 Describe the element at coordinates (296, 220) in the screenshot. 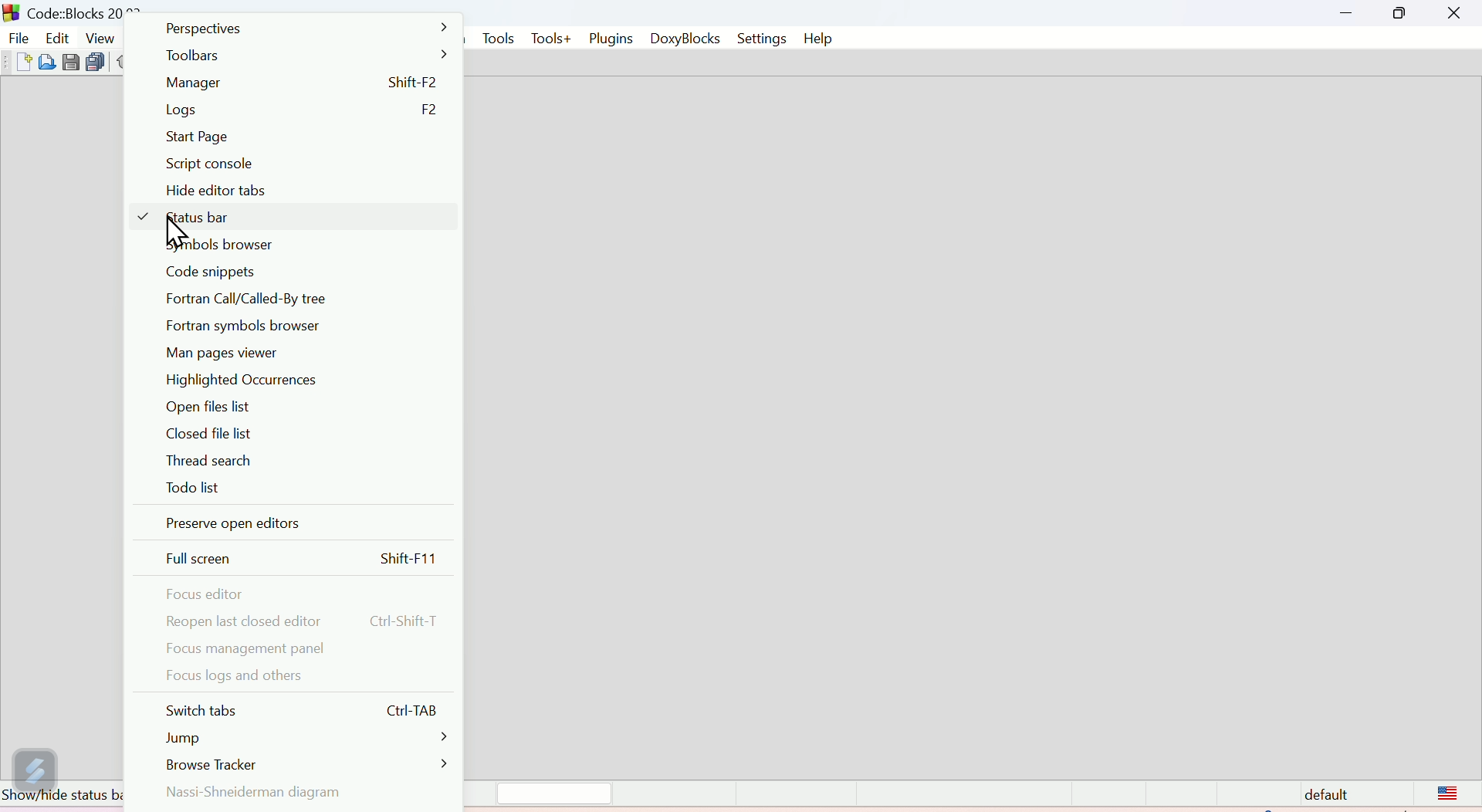

I see `Status bar` at that location.